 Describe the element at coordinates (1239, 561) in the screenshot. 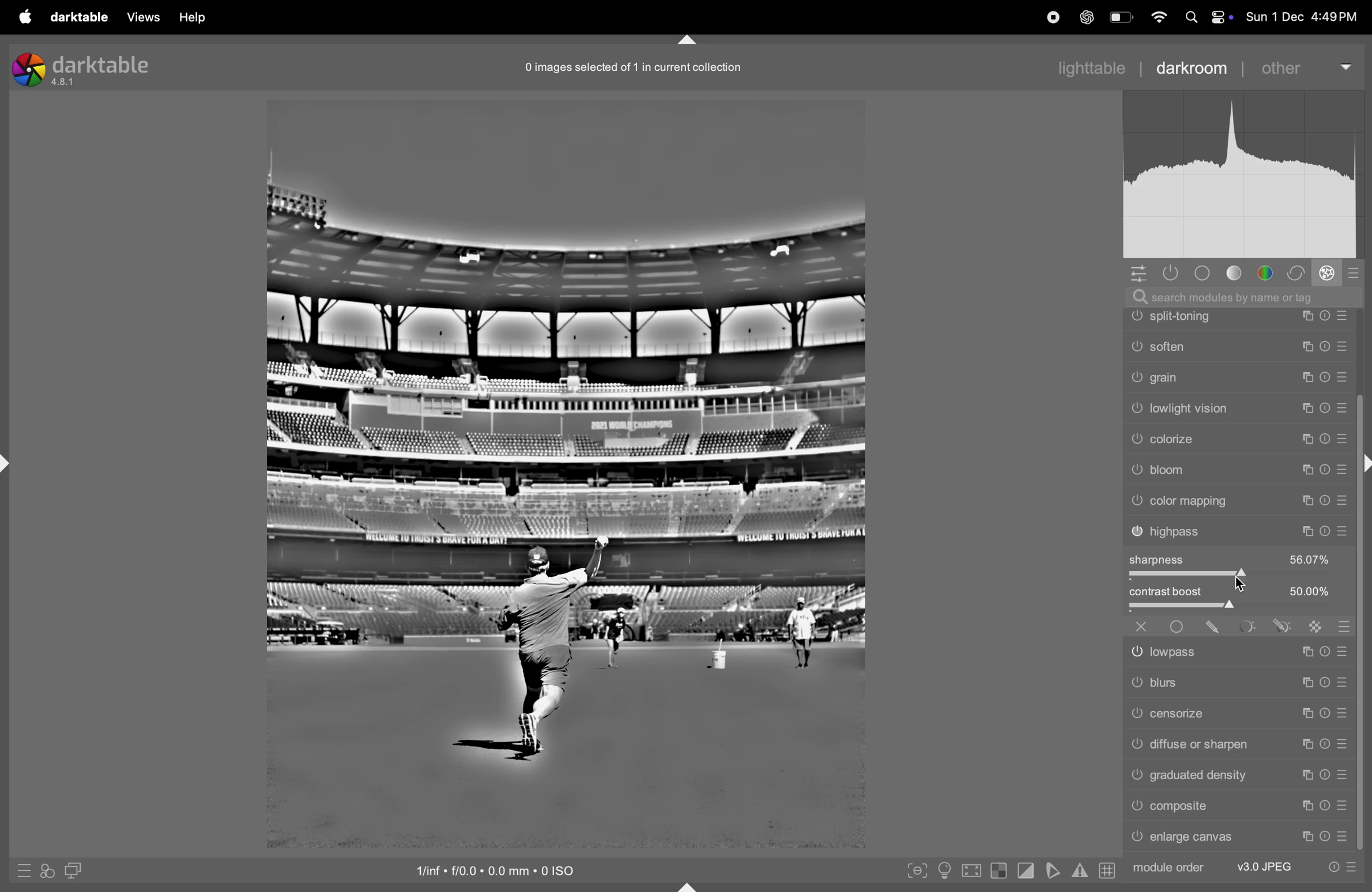

I see `bloom` at that location.